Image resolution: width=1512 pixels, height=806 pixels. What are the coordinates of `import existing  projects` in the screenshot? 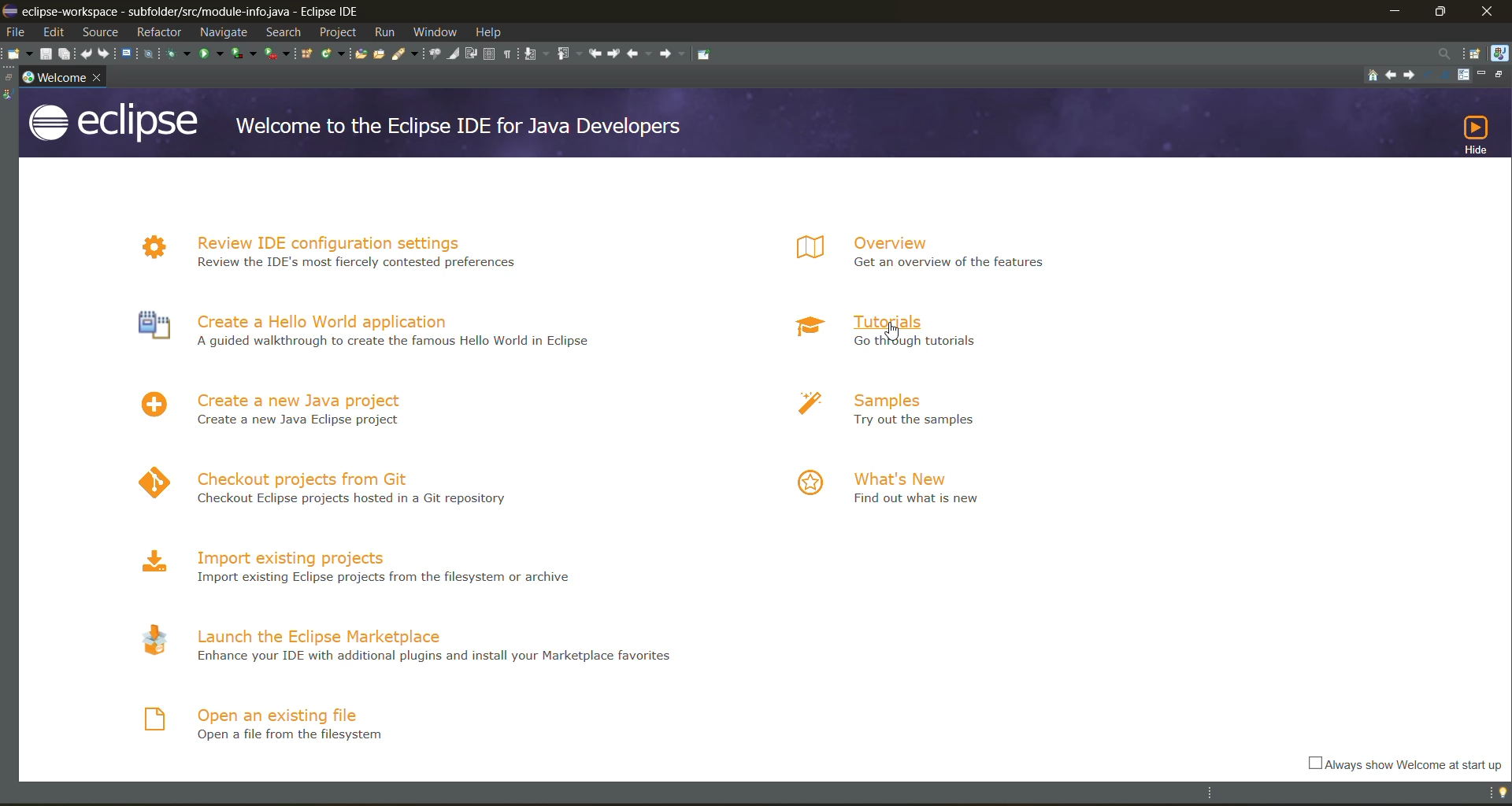 It's located at (364, 568).